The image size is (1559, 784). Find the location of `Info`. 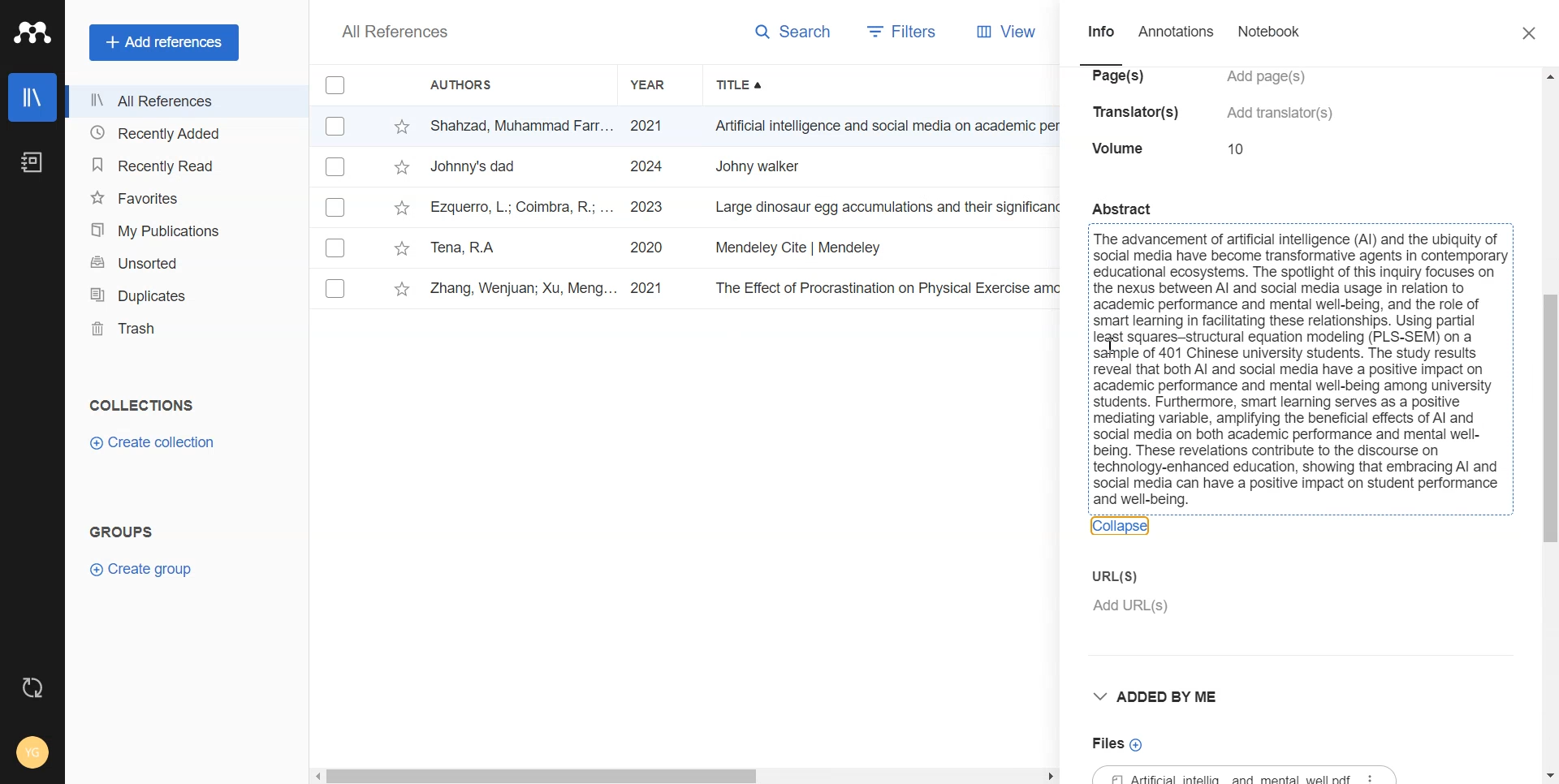

Info is located at coordinates (1107, 32).